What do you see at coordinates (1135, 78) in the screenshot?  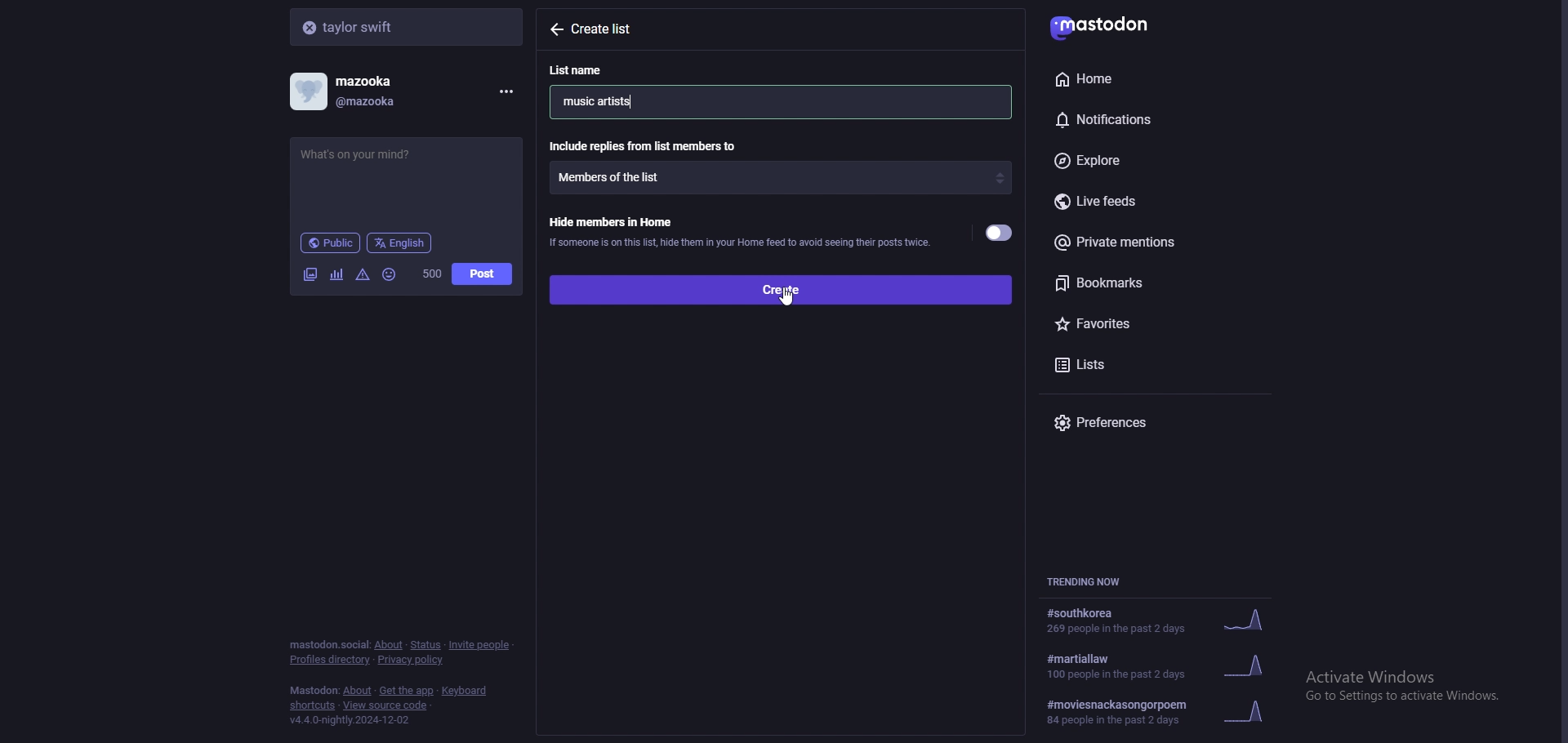 I see `home` at bounding box center [1135, 78].